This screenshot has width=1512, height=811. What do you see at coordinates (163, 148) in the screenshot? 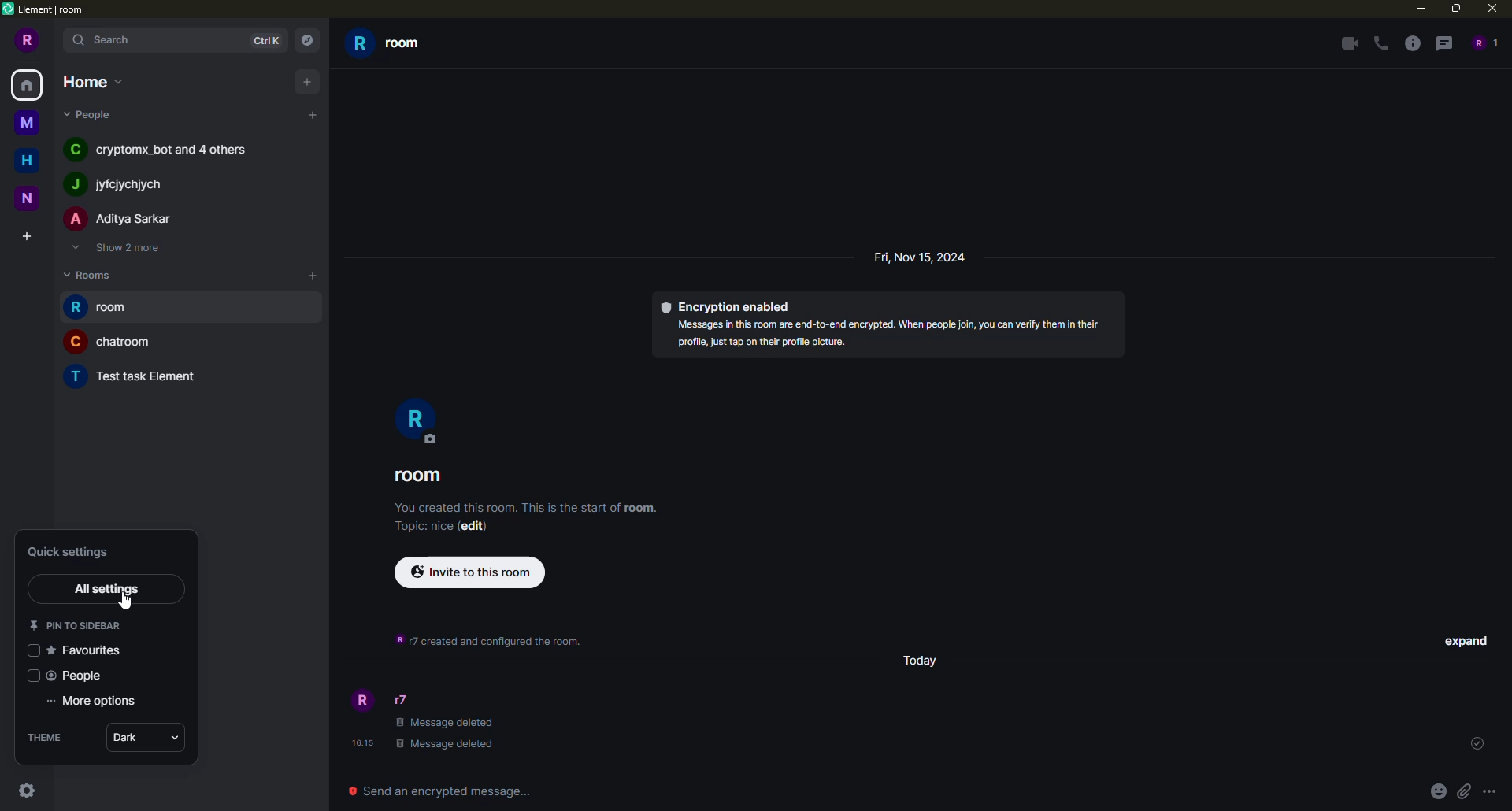
I see `people` at bounding box center [163, 148].